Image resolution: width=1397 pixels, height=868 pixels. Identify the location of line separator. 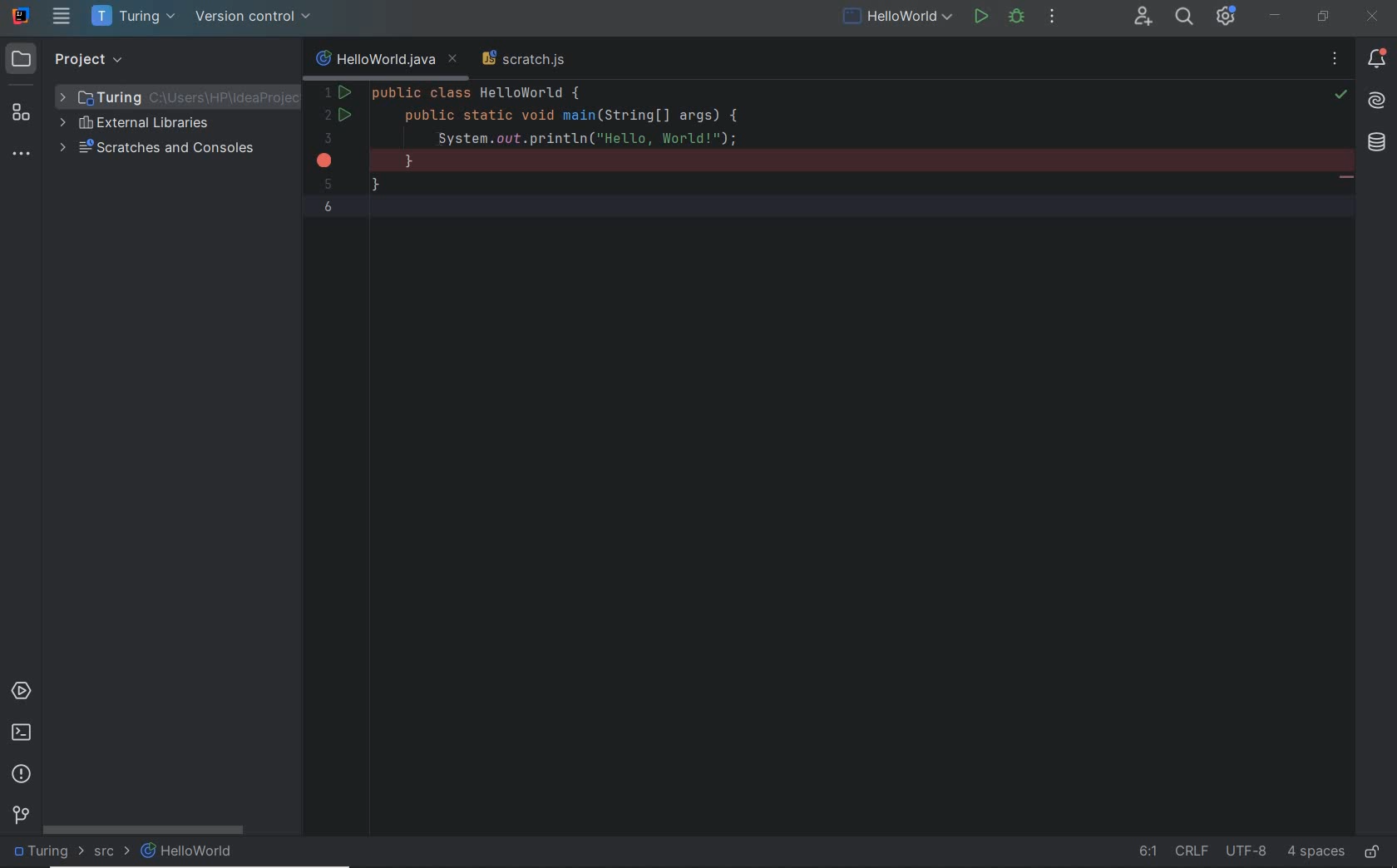
(1193, 850).